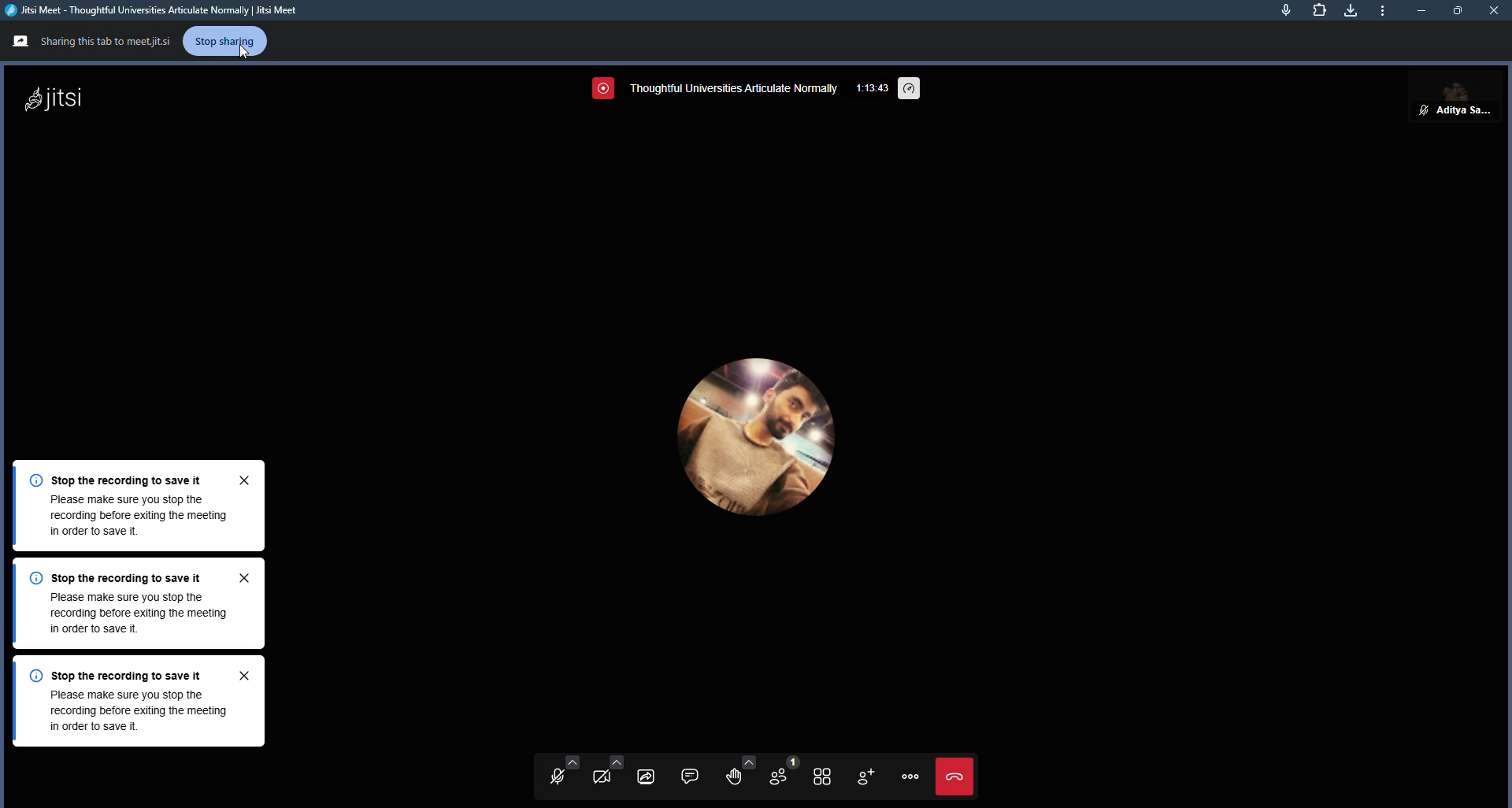 This screenshot has height=808, width=1512. Describe the element at coordinates (1418, 9) in the screenshot. I see `minimize` at that location.